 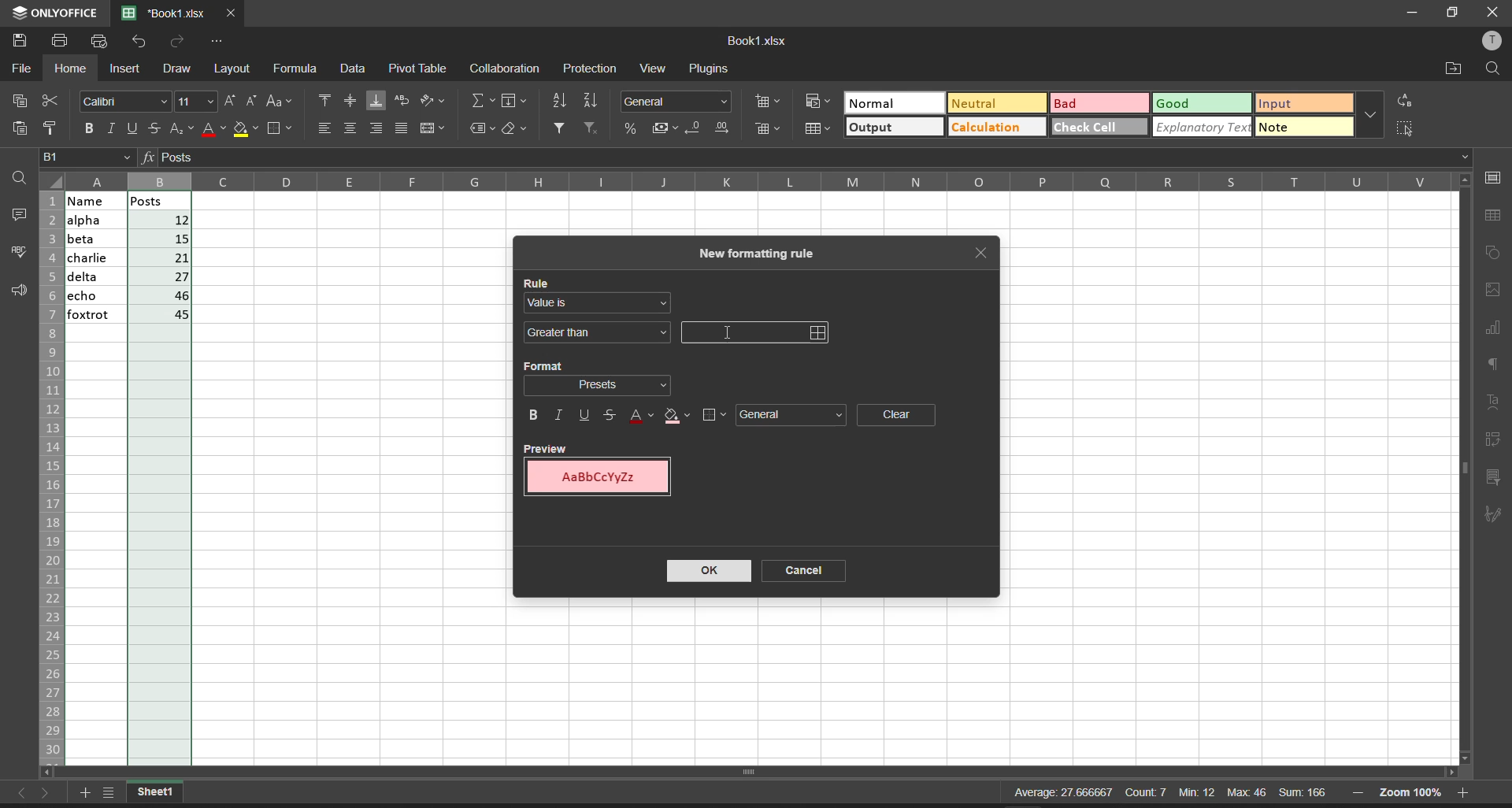 What do you see at coordinates (49, 770) in the screenshot?
I see `scroll left` at bounding box center [49, 770].